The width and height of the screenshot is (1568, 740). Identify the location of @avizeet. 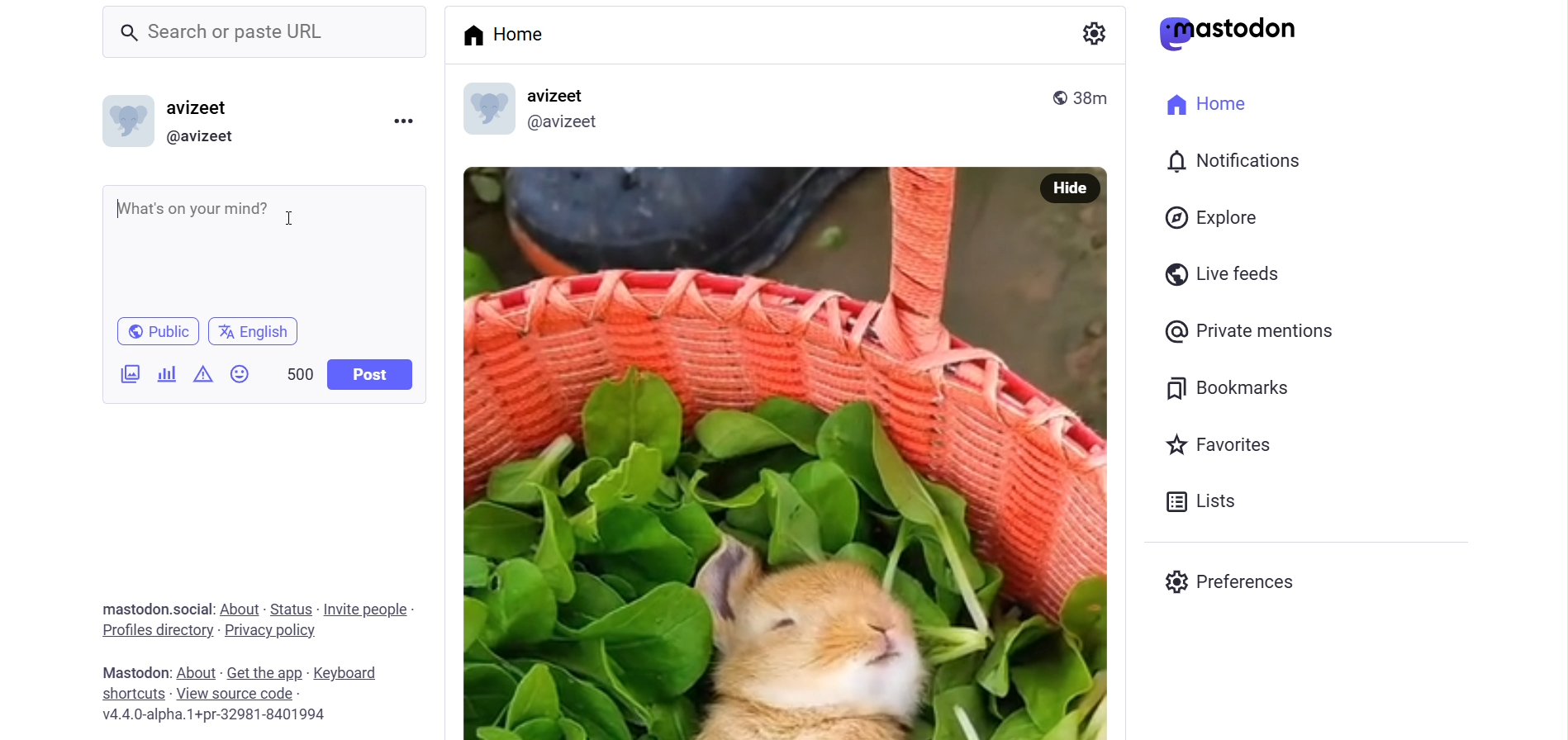
(569, 123).